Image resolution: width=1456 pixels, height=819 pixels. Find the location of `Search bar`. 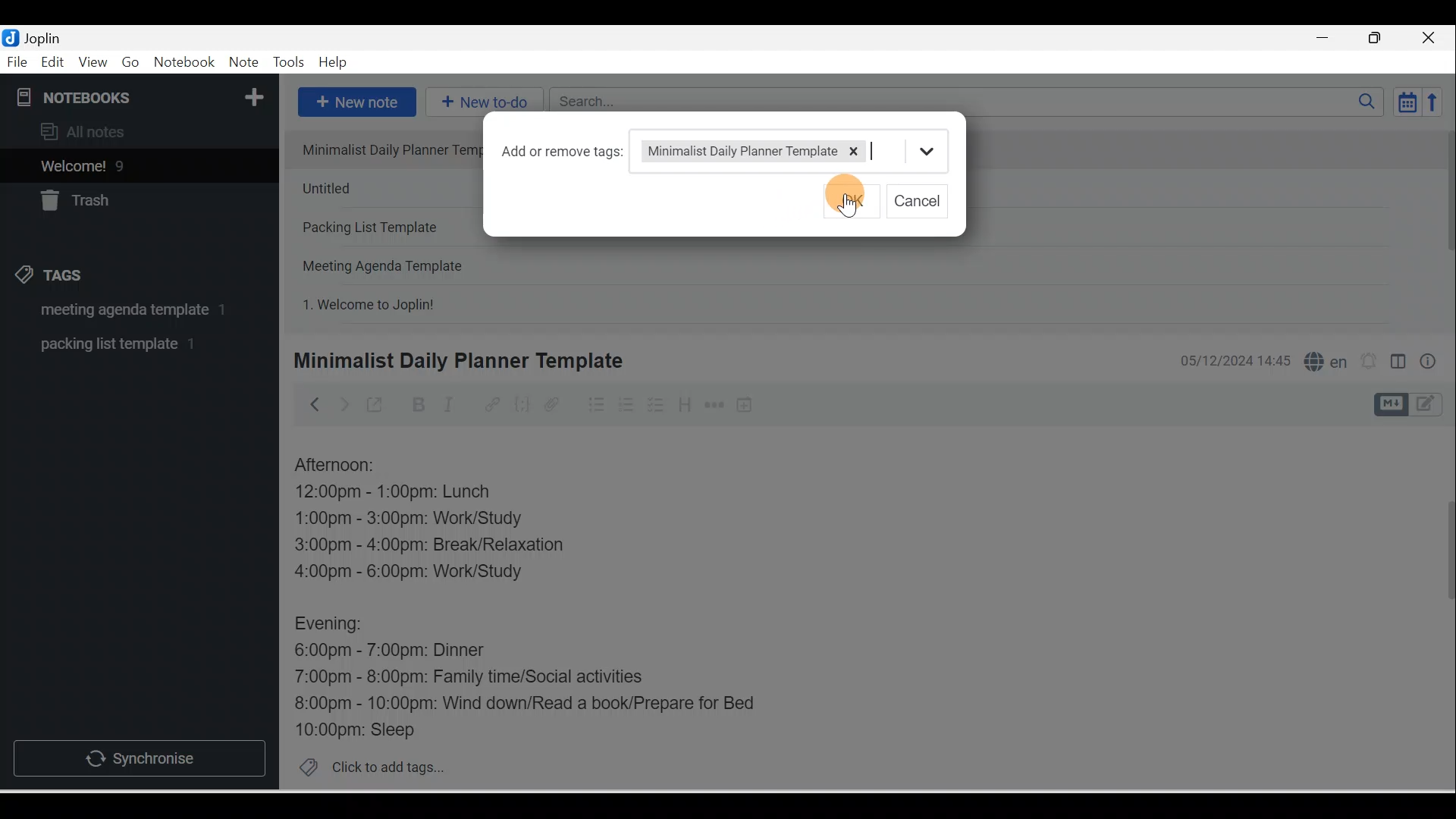

Search bar is located at coordinates (971, 102).